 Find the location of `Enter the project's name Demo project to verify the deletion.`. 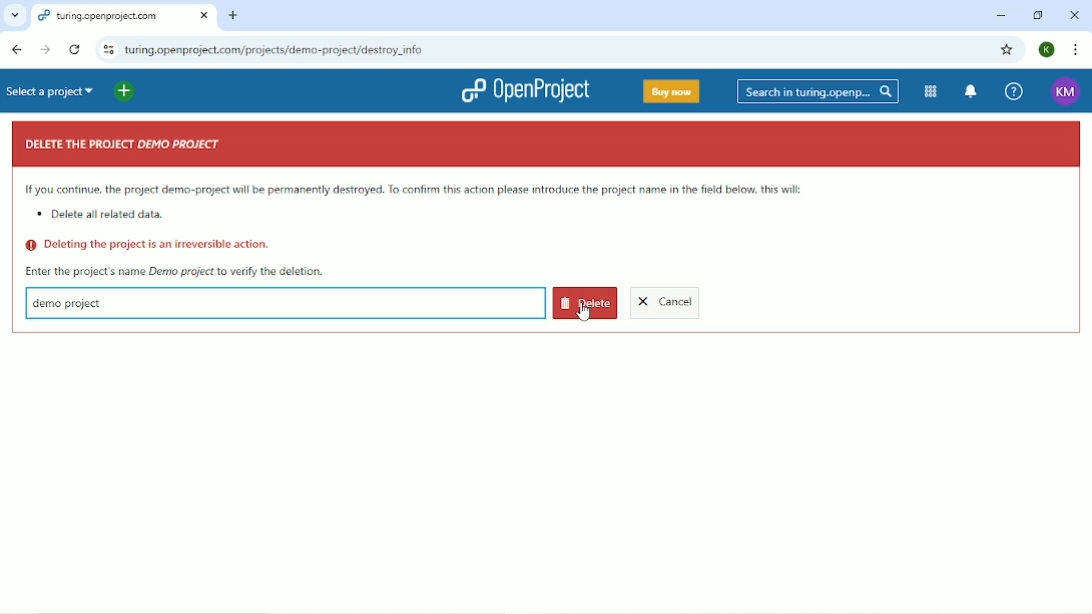

Enter the project's name Demo project to verify the deletion. is located at coordinates (175, 271).